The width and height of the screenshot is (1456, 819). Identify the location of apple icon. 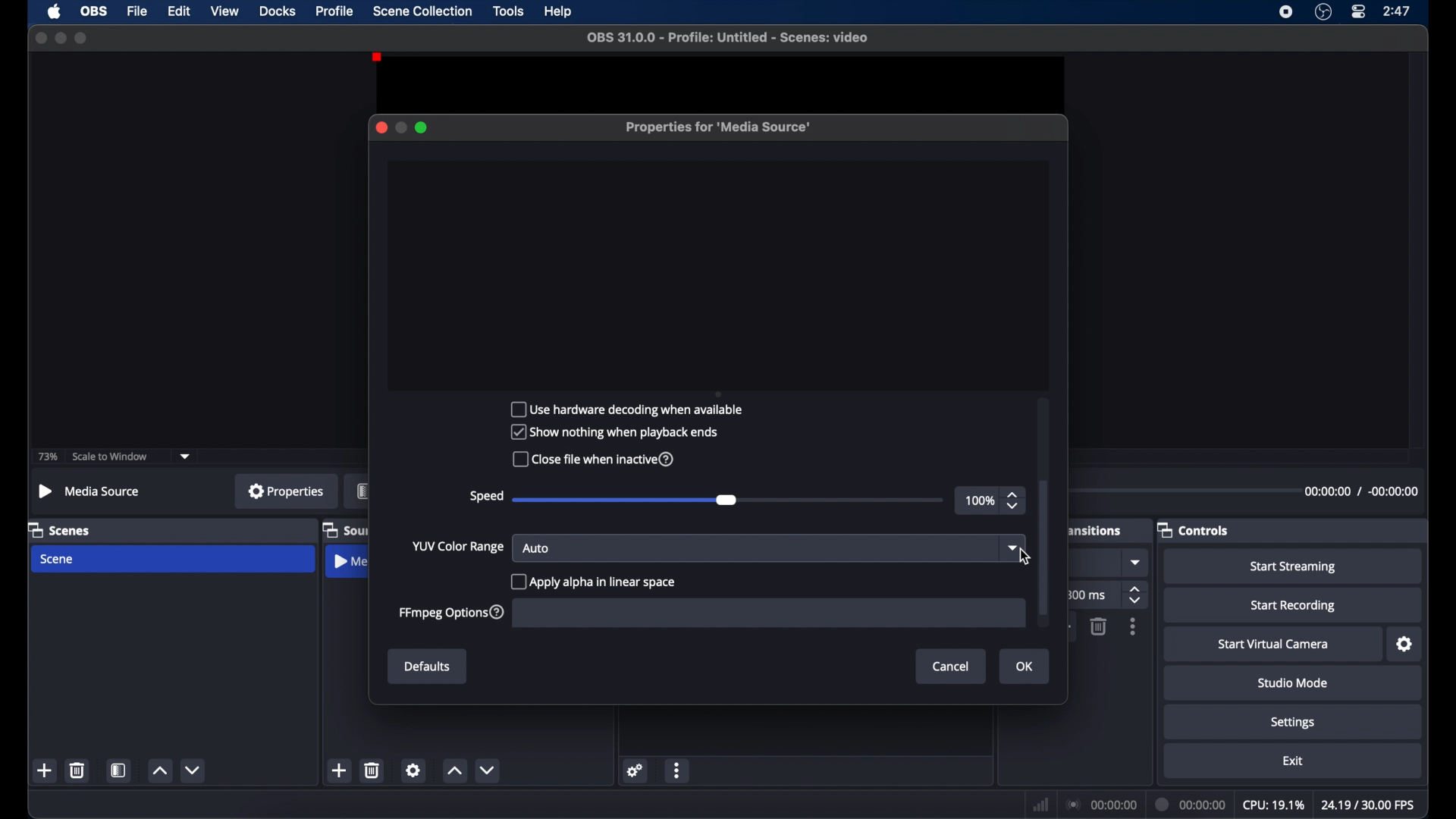
(55, 11).